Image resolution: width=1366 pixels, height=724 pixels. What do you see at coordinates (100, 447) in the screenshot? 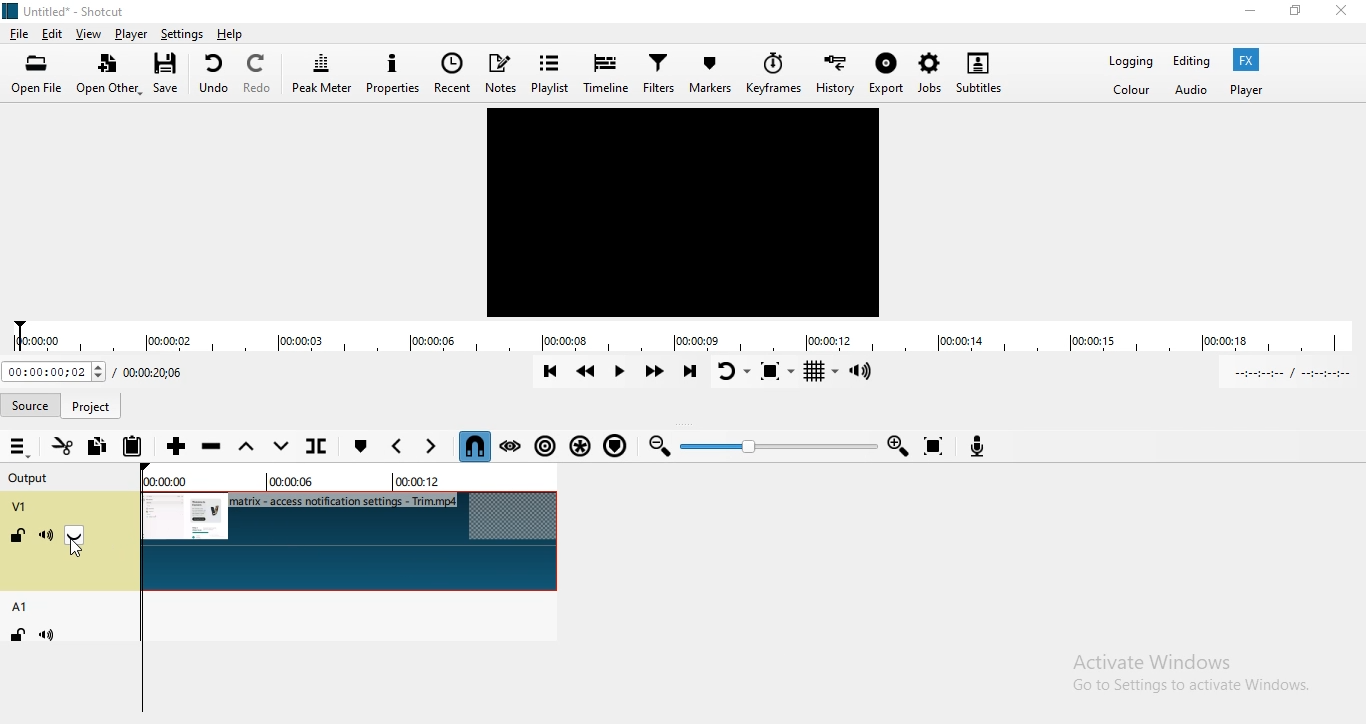
I see `Copy` at bounding box center [100, 447].